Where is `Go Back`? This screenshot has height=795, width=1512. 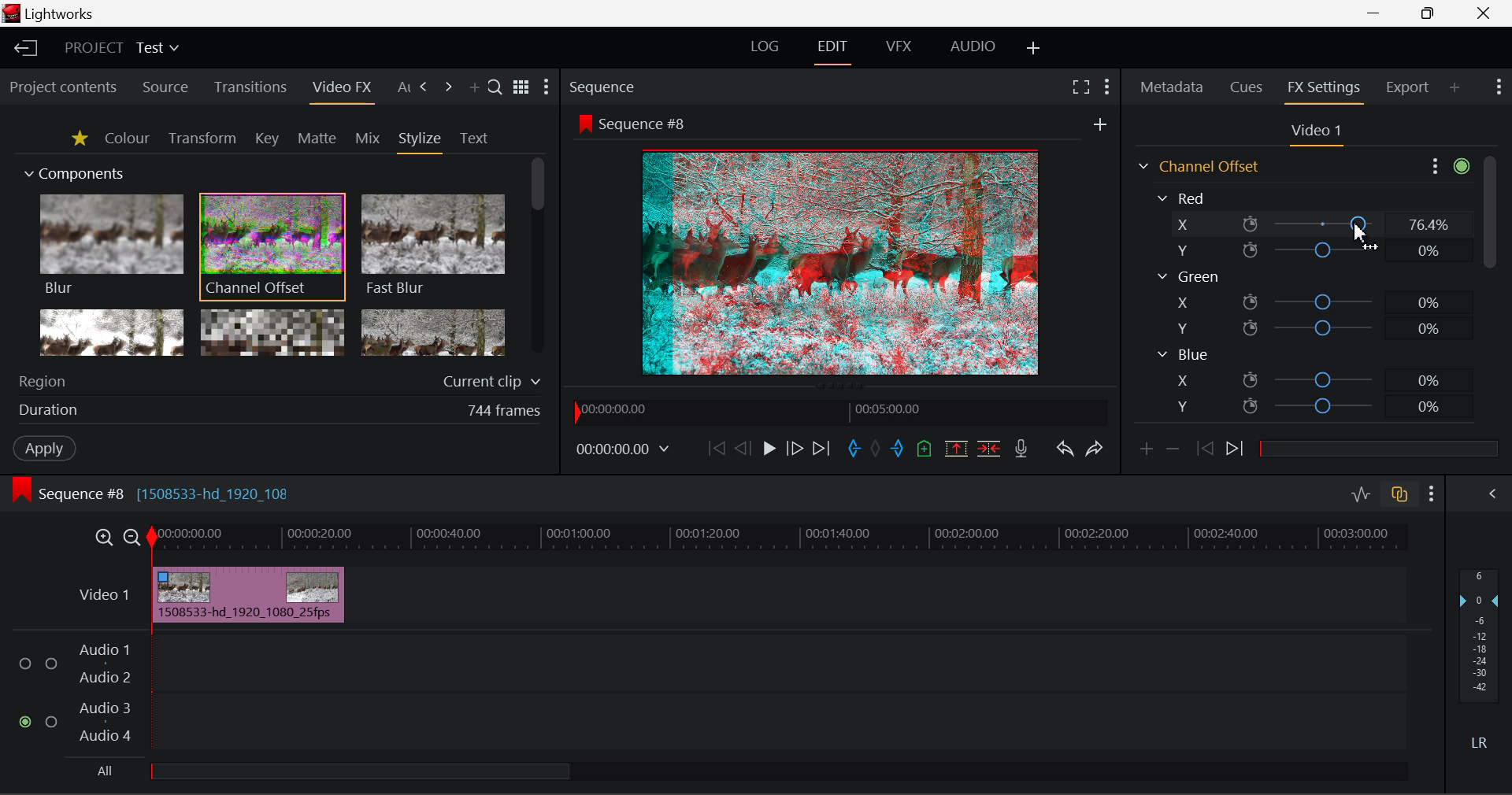
Go Back is located at coordinates (741, 449).